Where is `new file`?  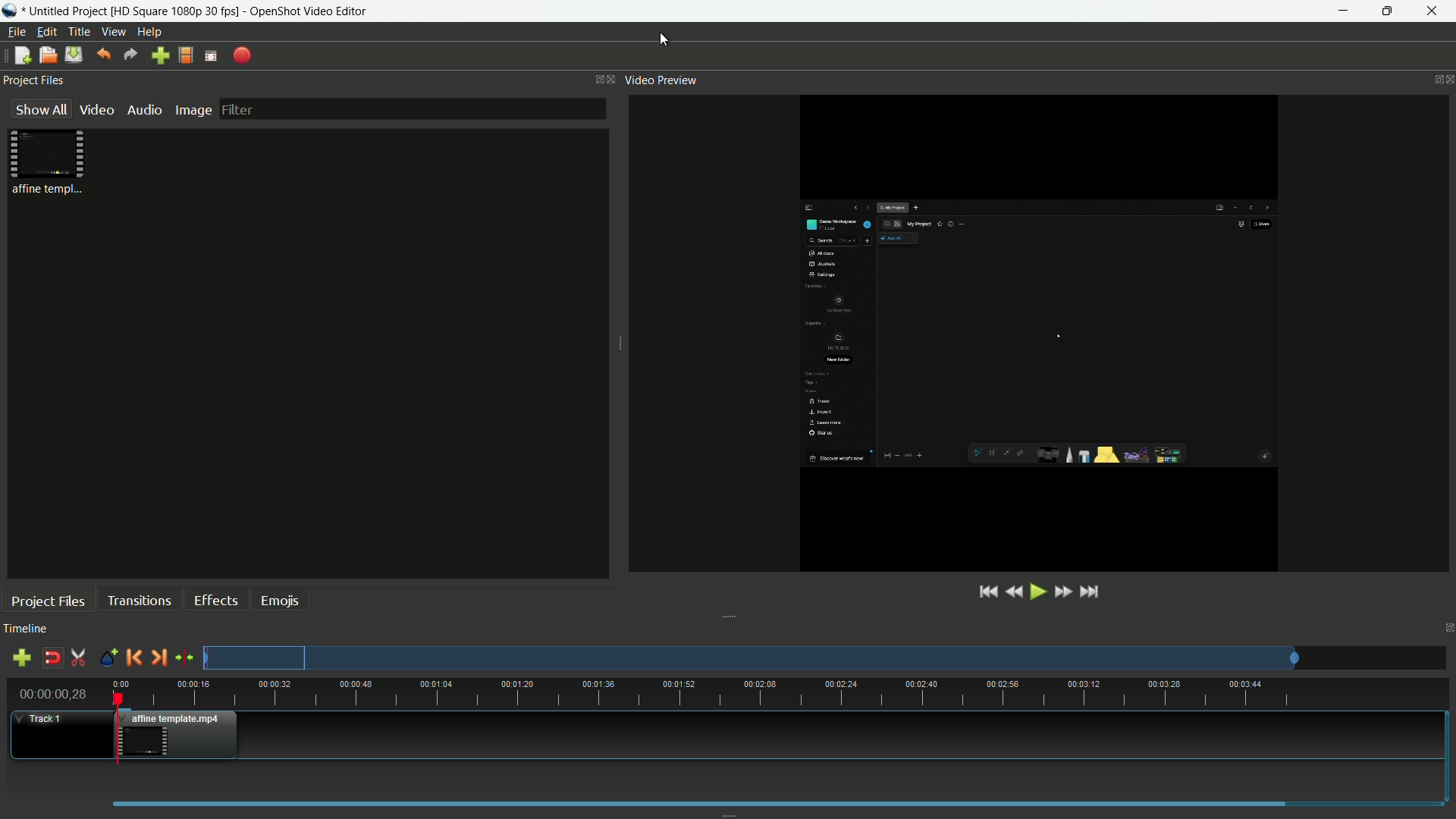
new file is located at coordinates (20, 55).